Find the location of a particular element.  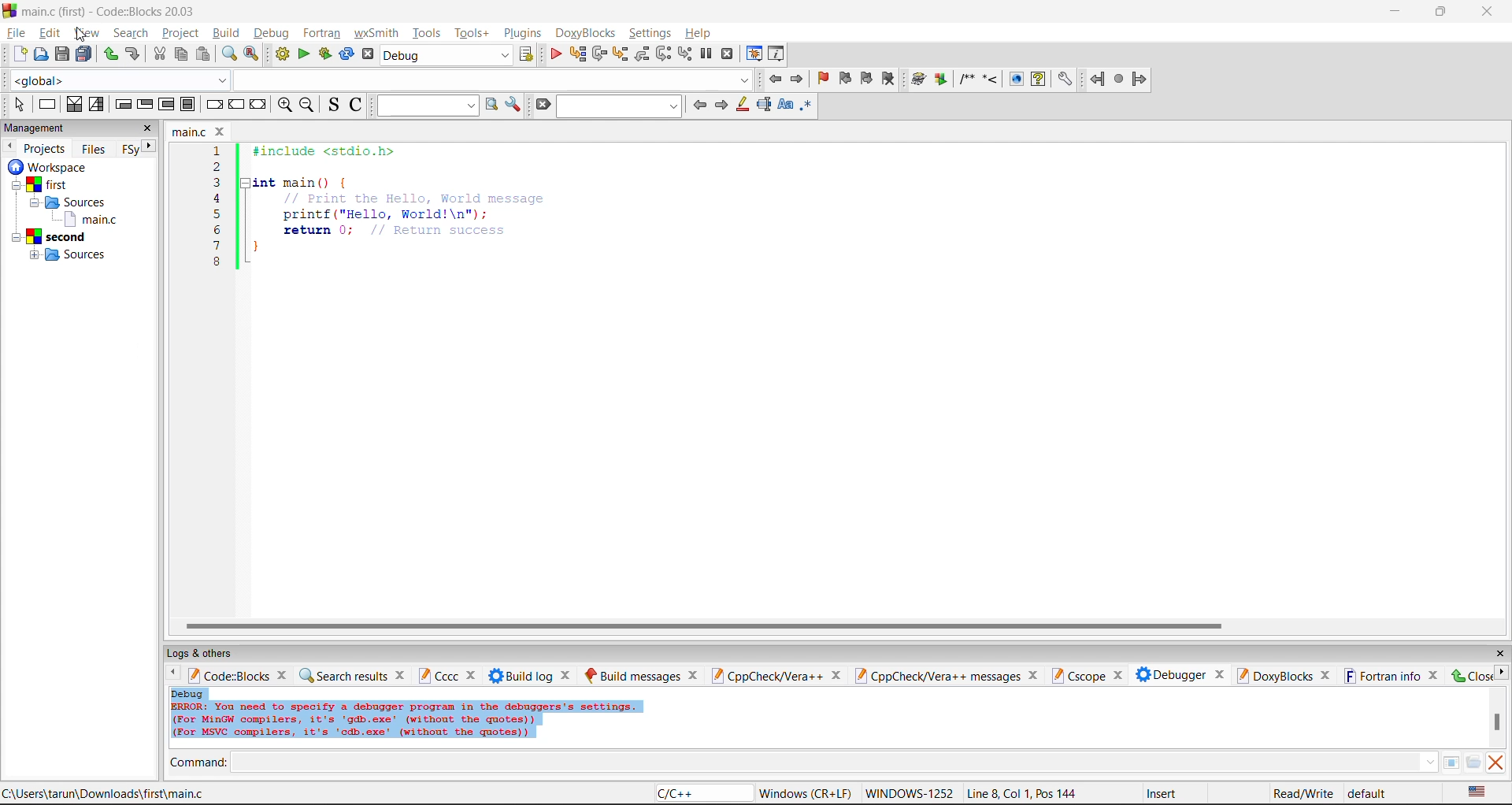

default is located at coordinates (1378, 792).